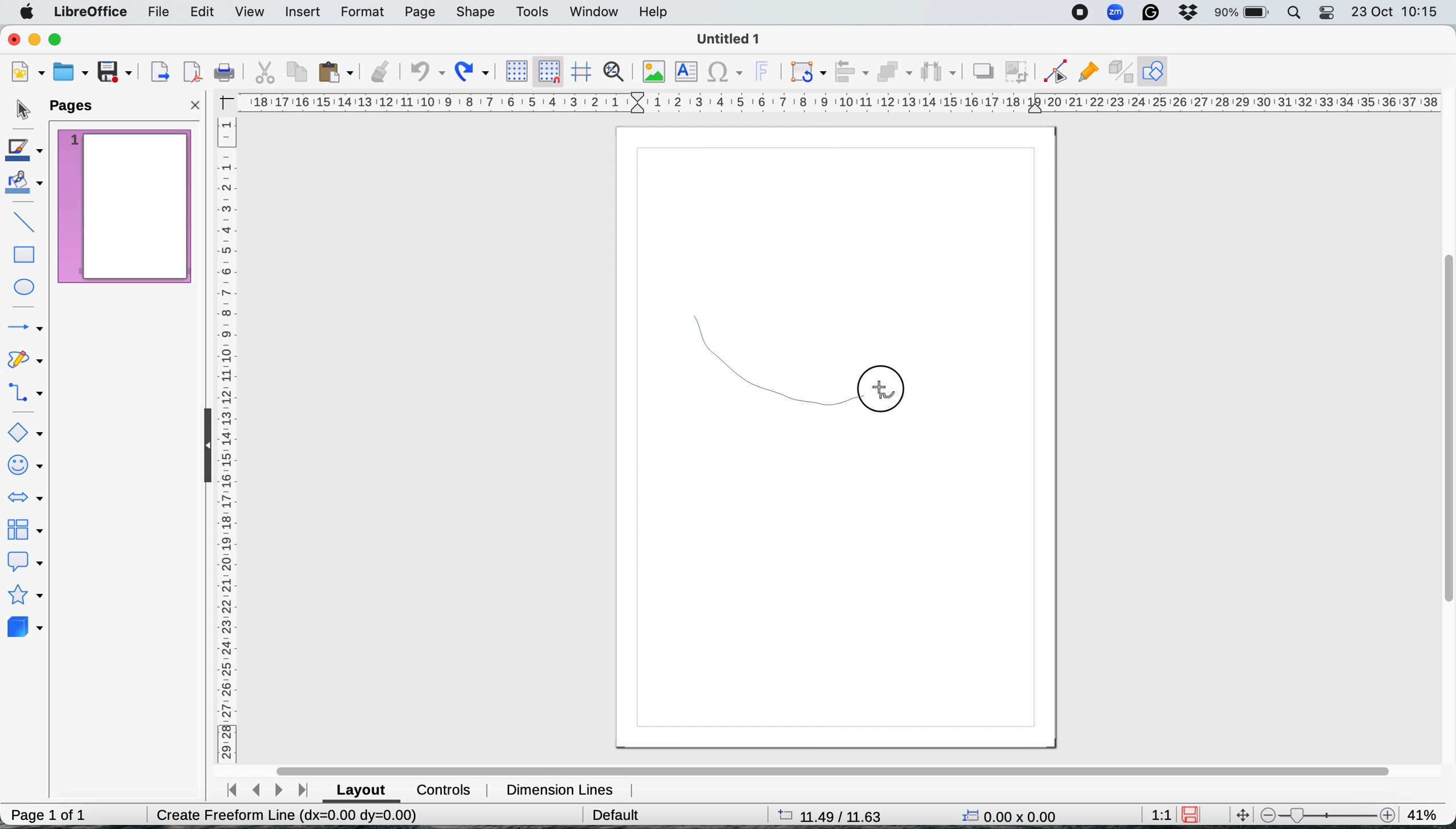 This screenshot has height=829, width=1456. I want to click on transformations, so click(807, 73).